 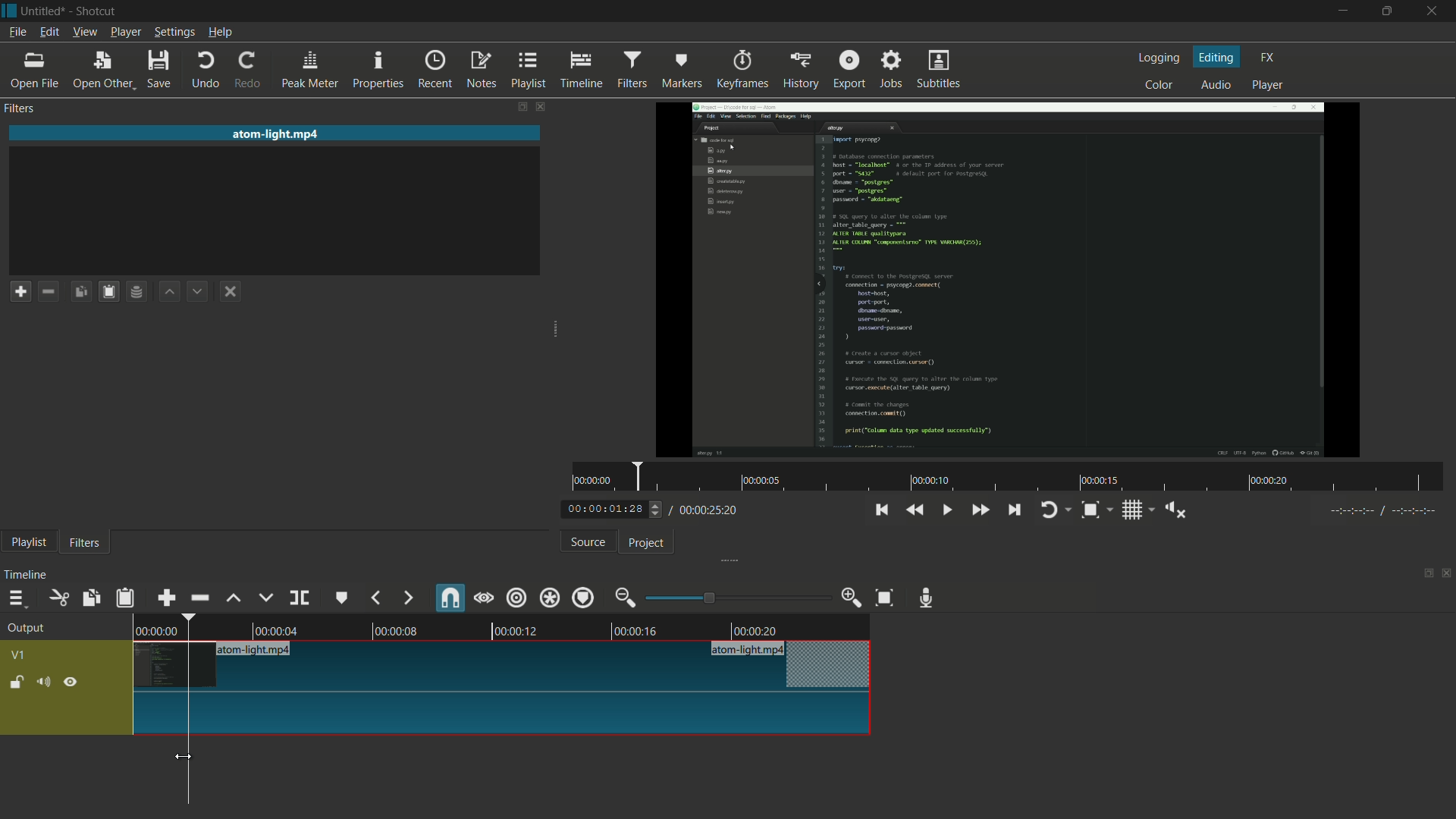 I want to click on record audio, so click(x=930, y=598).